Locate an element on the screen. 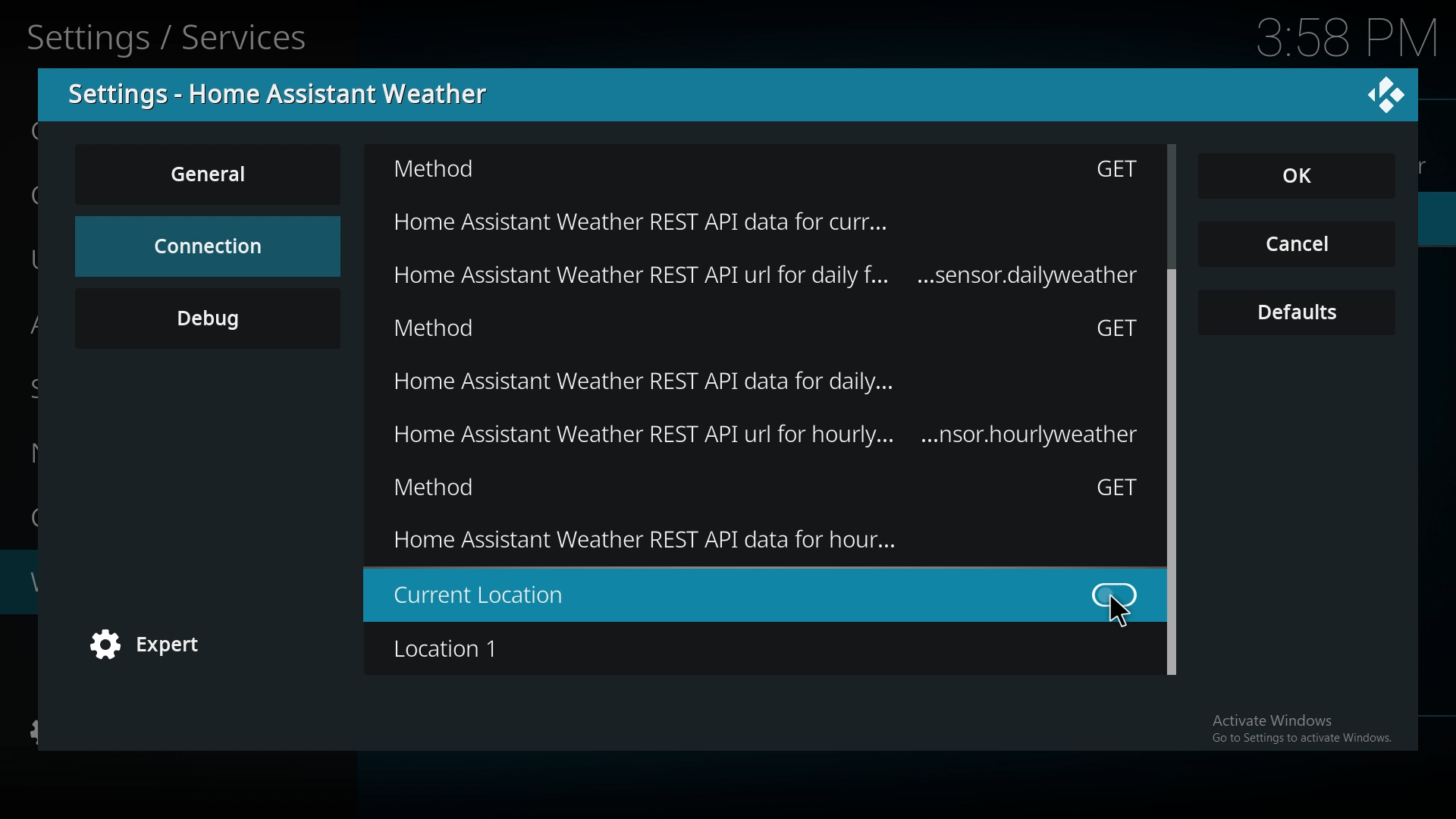  method is located at coordinates (766, 491).